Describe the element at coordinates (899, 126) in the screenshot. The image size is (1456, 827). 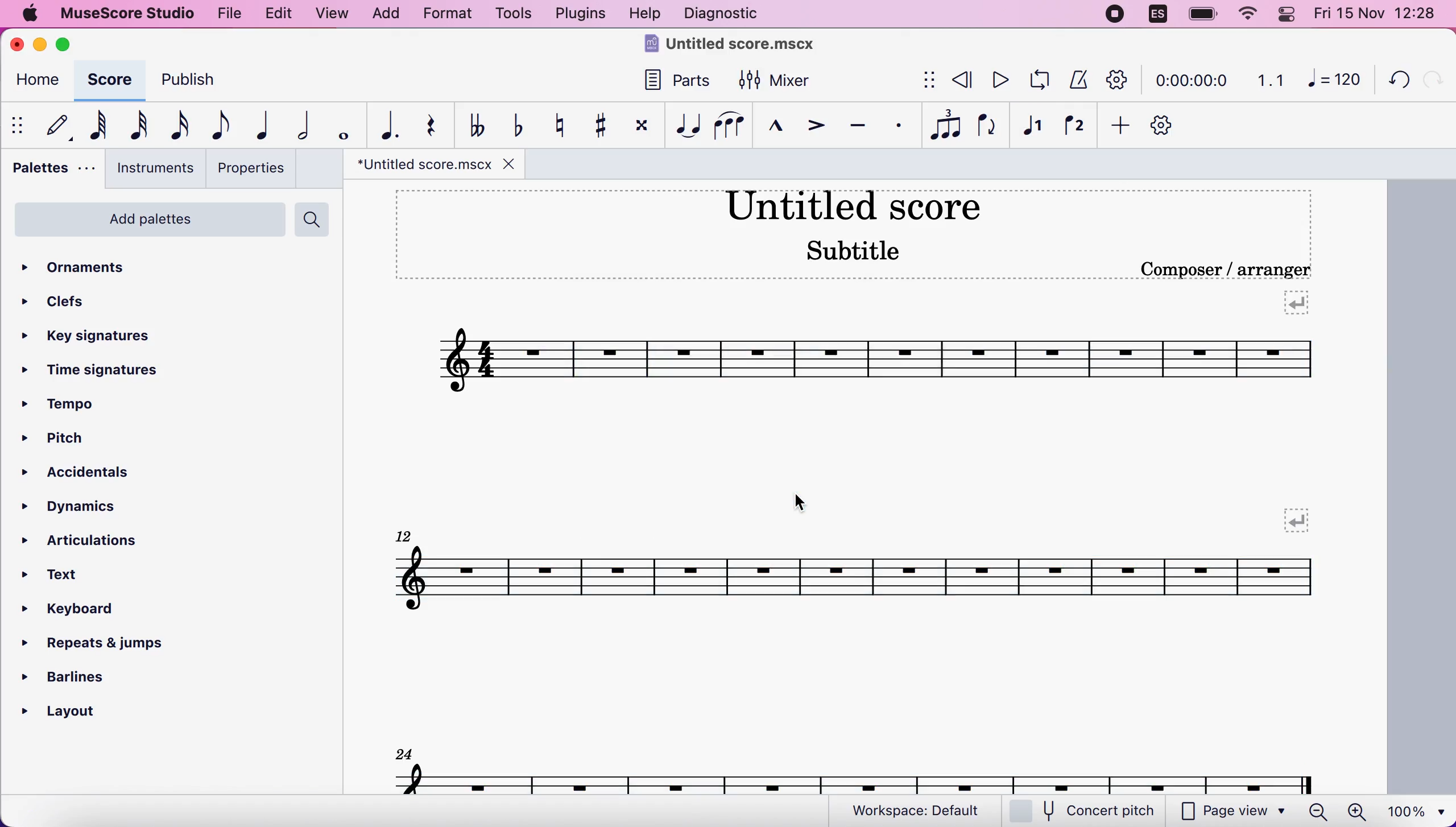
I see `staccato` at that location.